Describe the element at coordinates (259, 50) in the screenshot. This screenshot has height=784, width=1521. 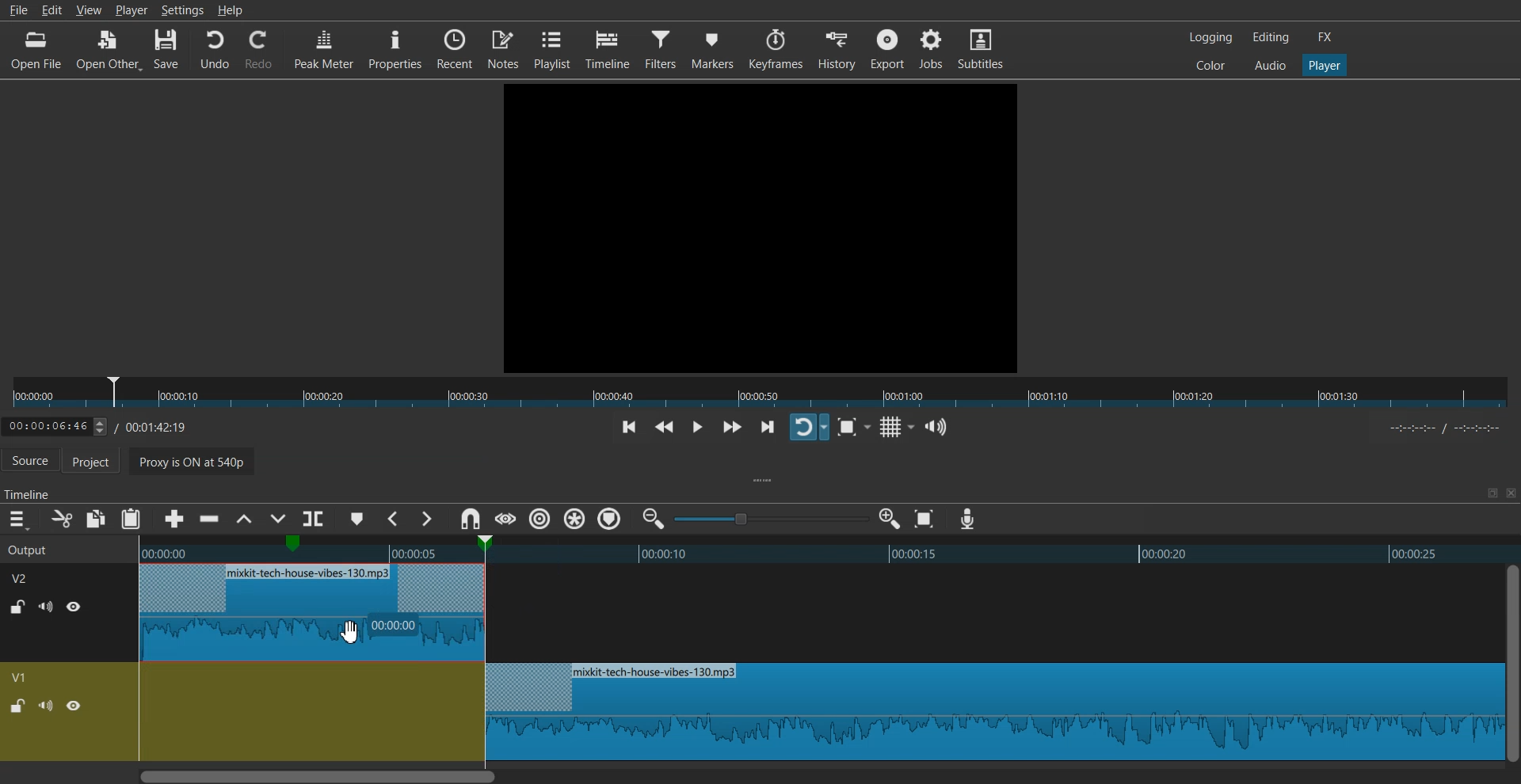
I see `Redo` at that location.